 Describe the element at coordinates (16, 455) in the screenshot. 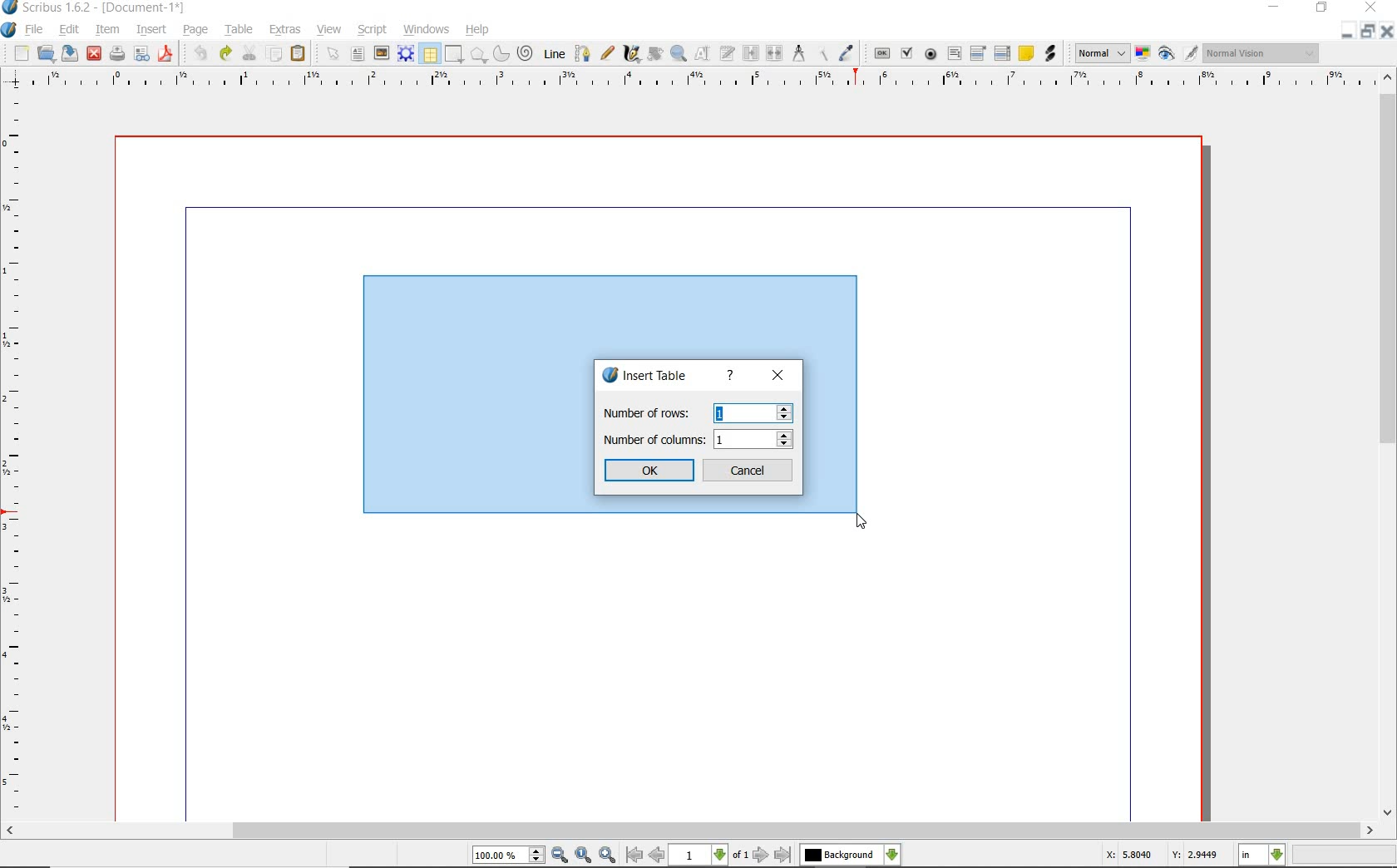

I see `ruler` at that location.